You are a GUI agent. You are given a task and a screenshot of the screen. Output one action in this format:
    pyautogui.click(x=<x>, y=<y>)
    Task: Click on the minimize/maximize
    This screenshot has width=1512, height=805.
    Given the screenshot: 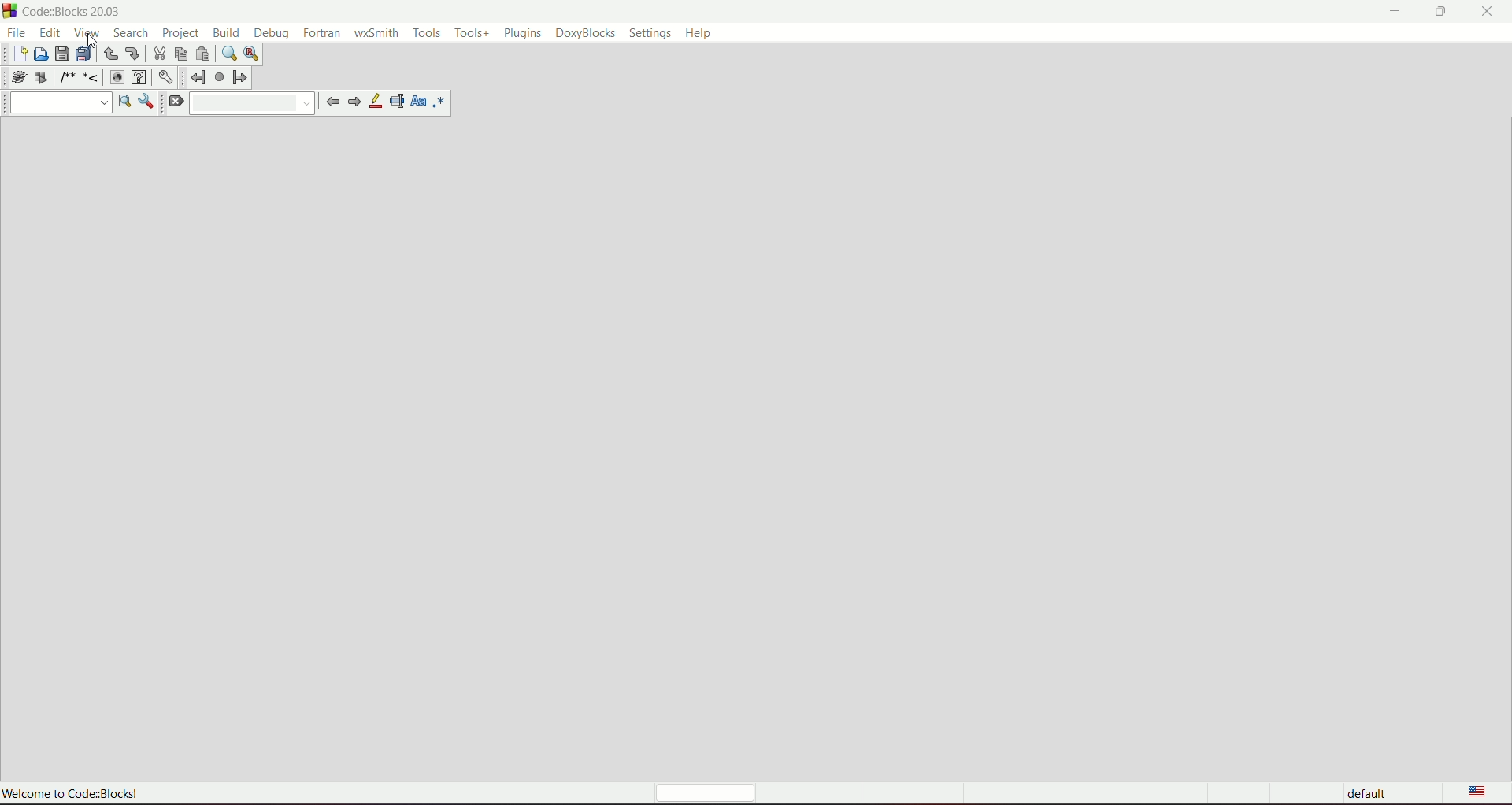 What is the action you would take?
    pyautogui.click(x=1439, y=12)
    